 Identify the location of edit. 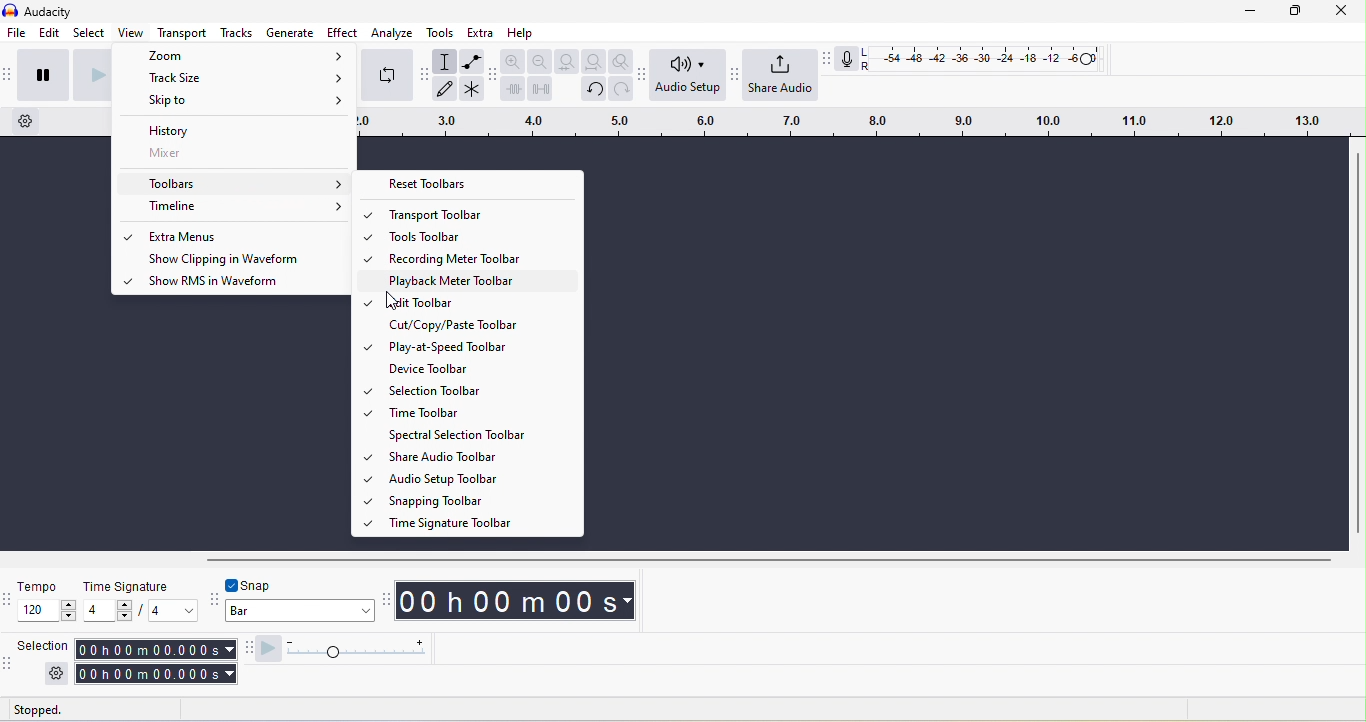
(50, 33).